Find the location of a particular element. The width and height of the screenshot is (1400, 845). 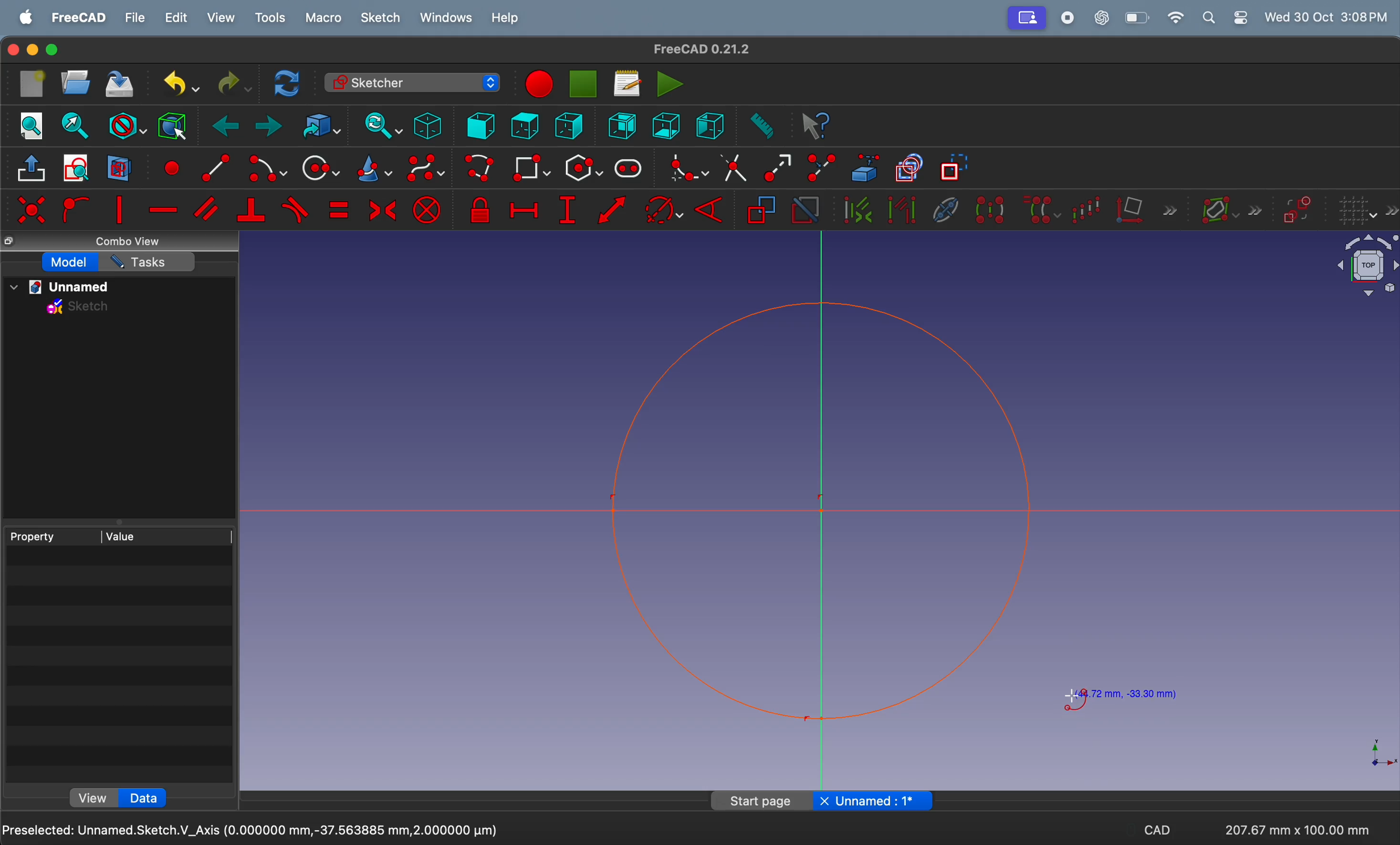

create external polygon is located at coordinates (583, 169).